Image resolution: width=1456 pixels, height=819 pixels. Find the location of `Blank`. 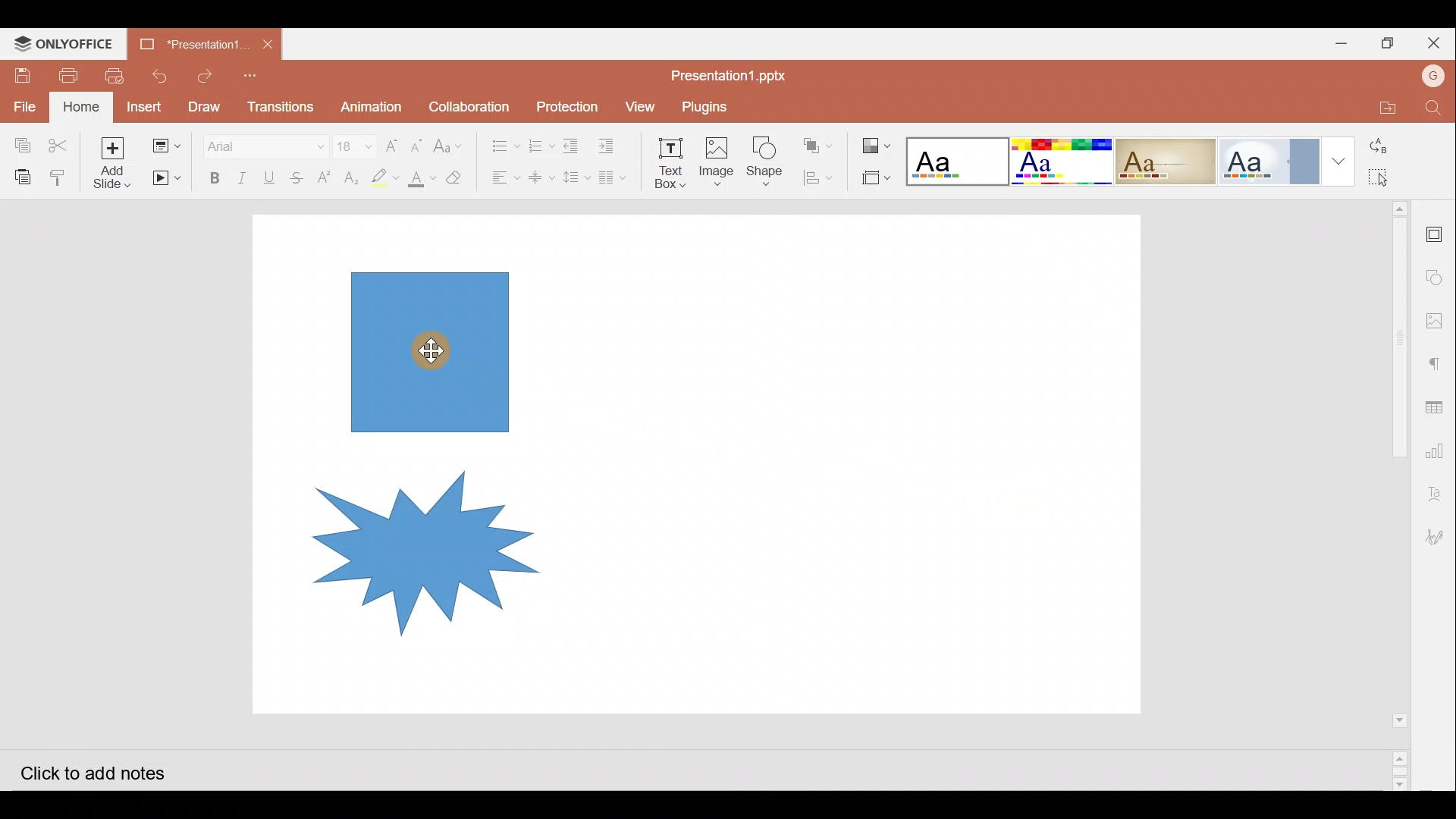

Blank is located at coordinates (955, 157).